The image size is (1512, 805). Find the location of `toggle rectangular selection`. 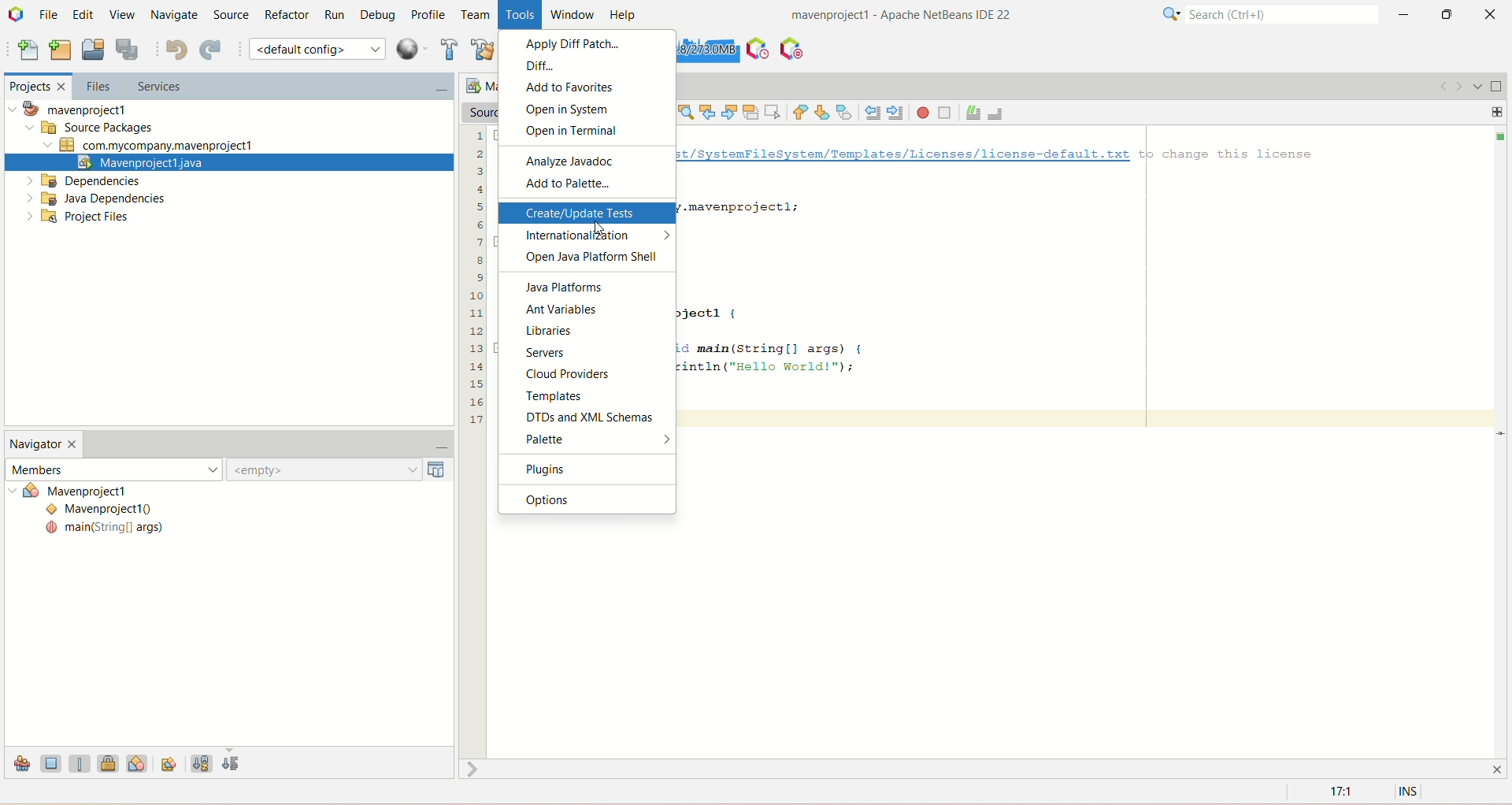

toggle rectangular selection is located at coordinates (774, 110).